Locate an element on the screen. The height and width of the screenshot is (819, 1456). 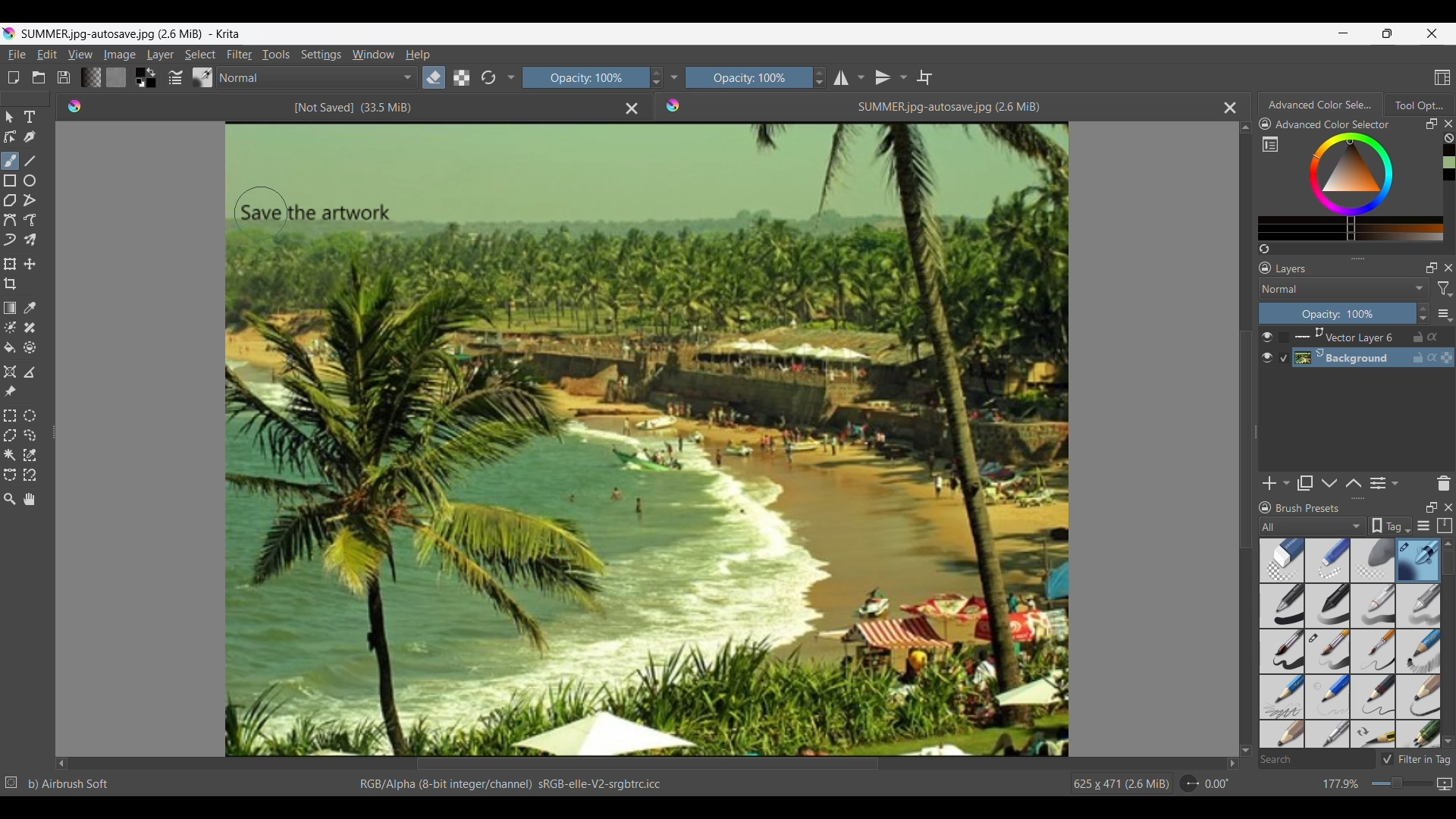
Edit brush settings is located at coordinates (175, 77).